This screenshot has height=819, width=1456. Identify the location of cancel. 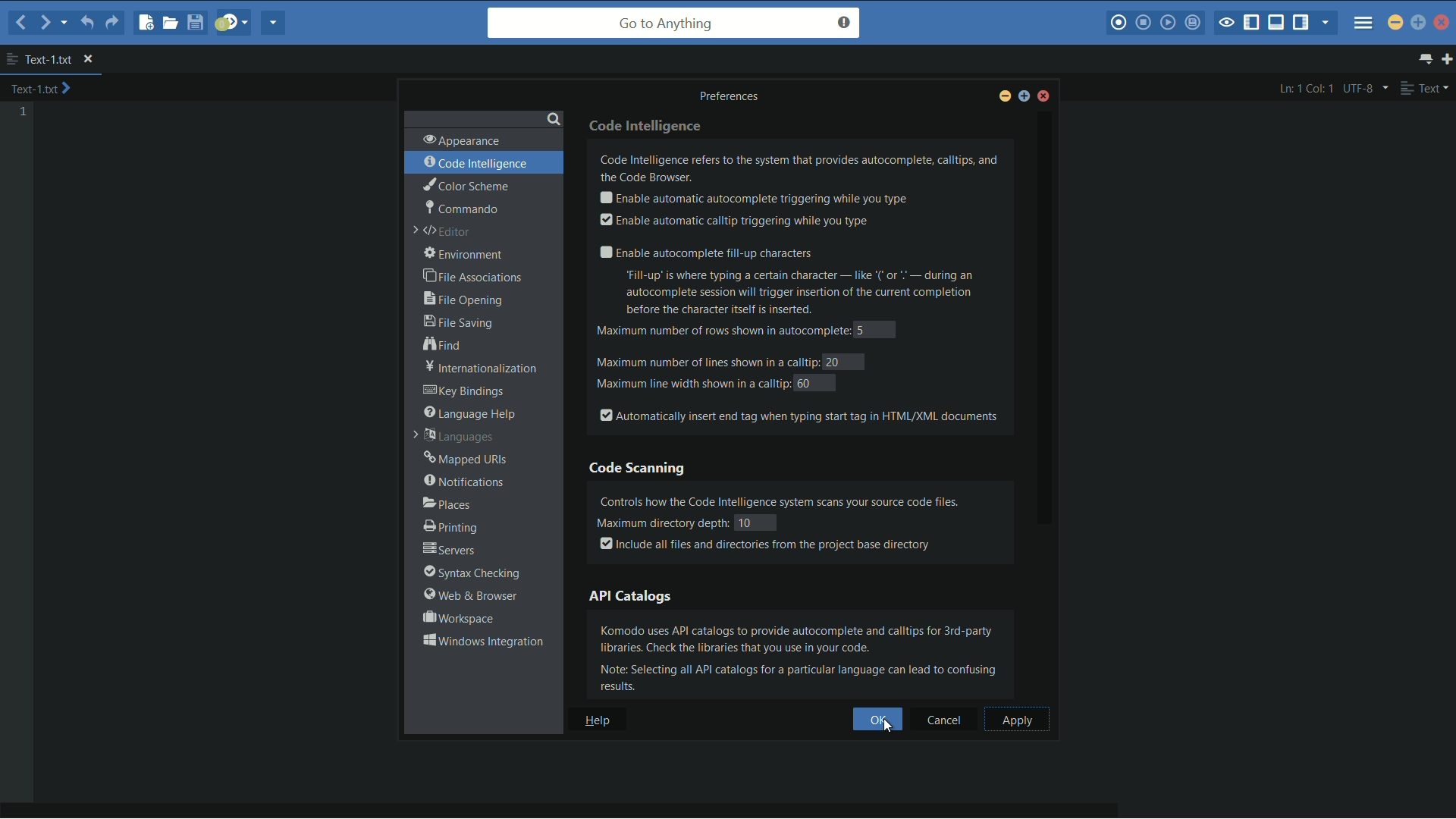
(947, 720).